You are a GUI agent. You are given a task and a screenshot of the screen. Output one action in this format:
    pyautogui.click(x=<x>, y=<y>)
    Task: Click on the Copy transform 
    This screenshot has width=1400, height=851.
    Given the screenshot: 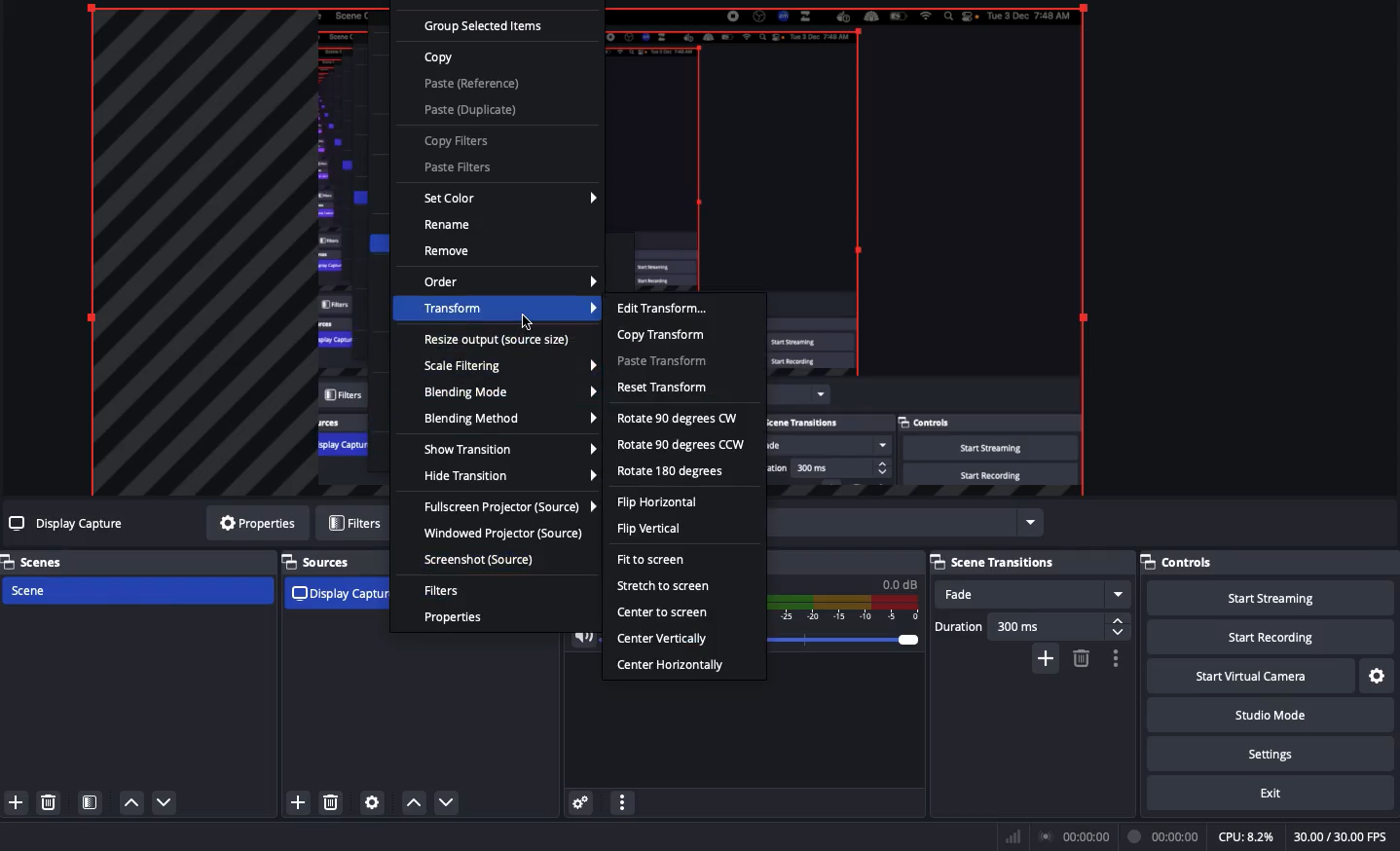 What is the action you would take?
    pyautogui.click(x=659, y=335)
    